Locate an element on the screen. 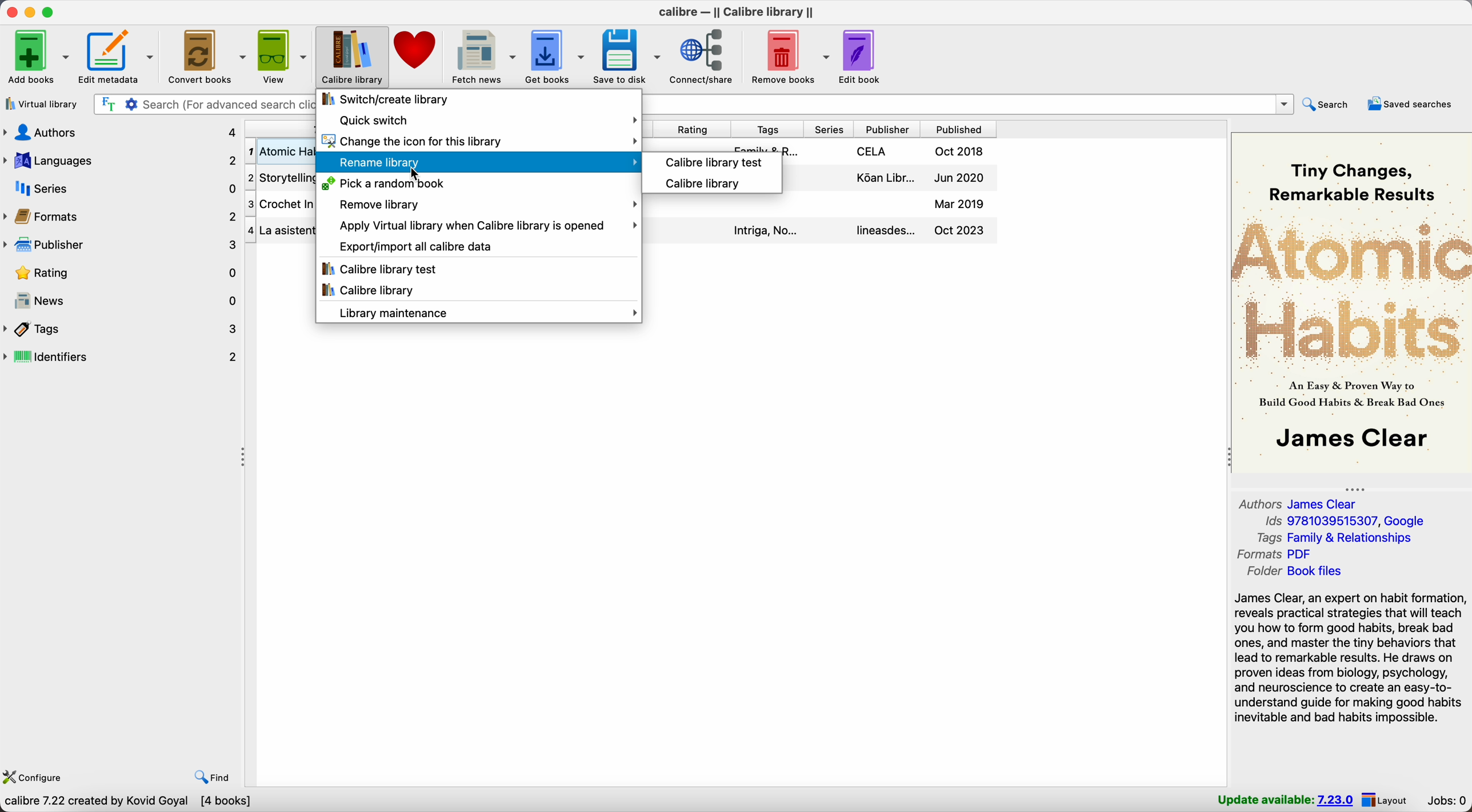  remove library is located at coordinates (485, 203).